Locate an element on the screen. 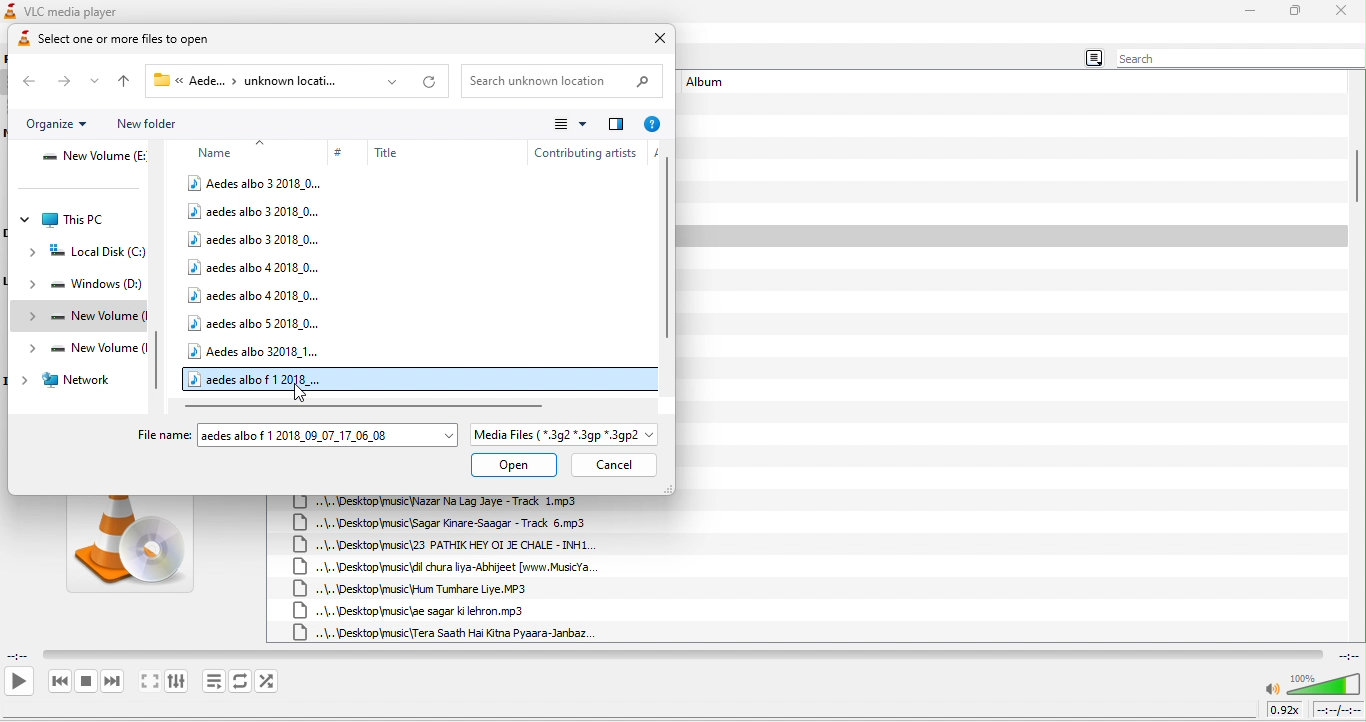 The image size is (1366, 722). cursor is located at coordinates (304, 395).